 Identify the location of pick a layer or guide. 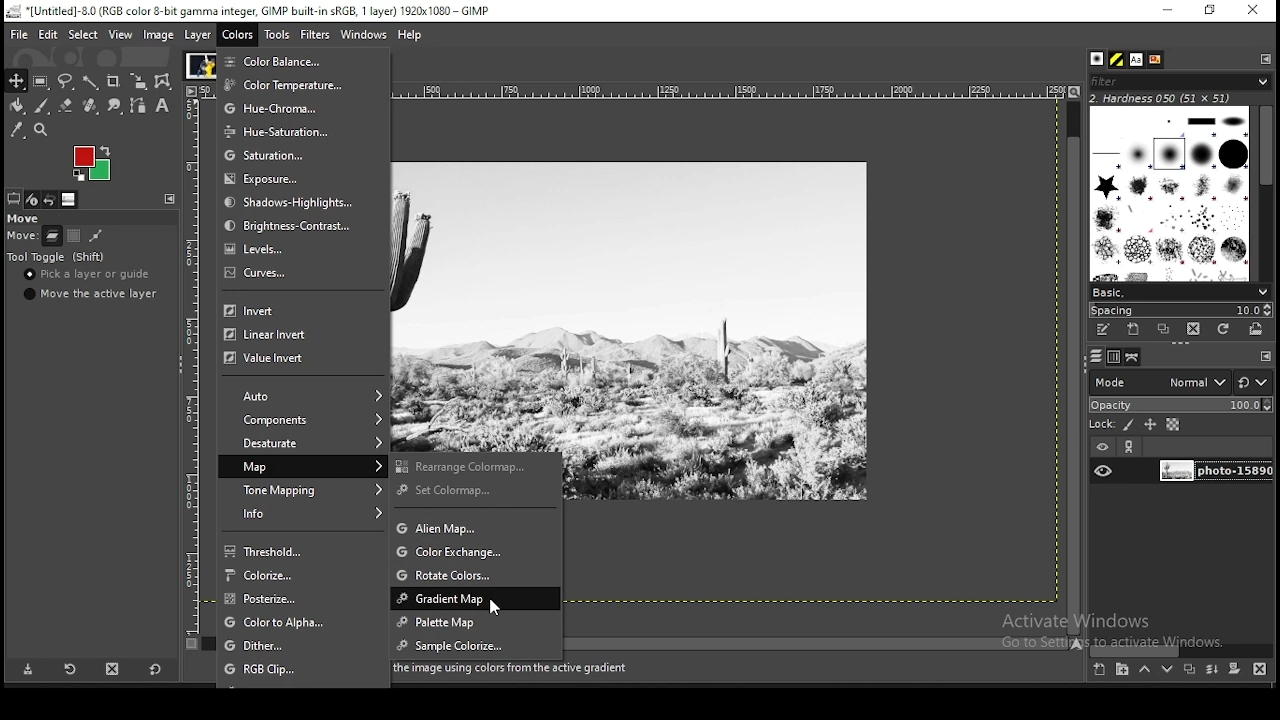
(87, 274).